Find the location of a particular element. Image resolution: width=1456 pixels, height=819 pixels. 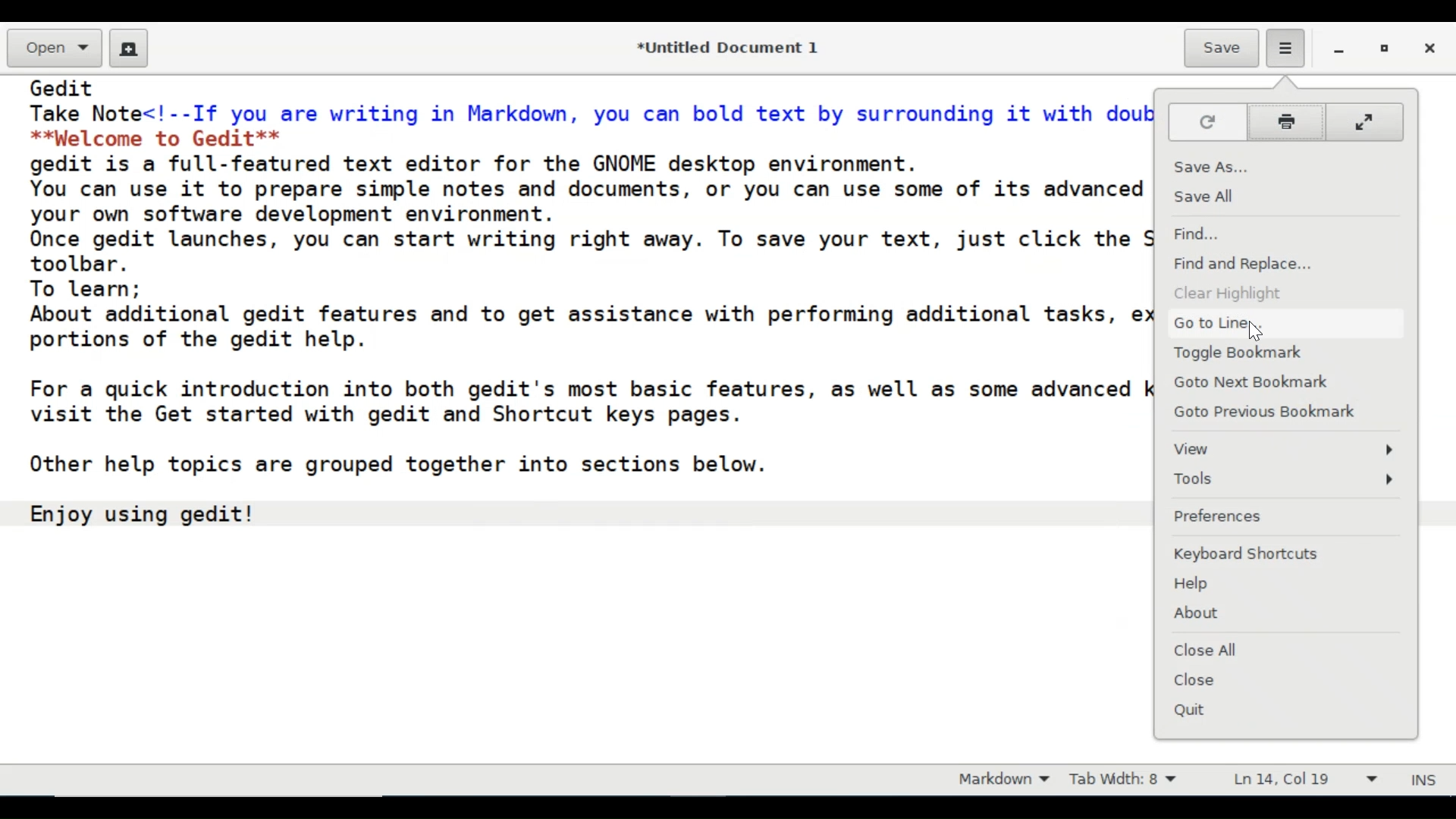

About is located at coordinates (1200, 614).